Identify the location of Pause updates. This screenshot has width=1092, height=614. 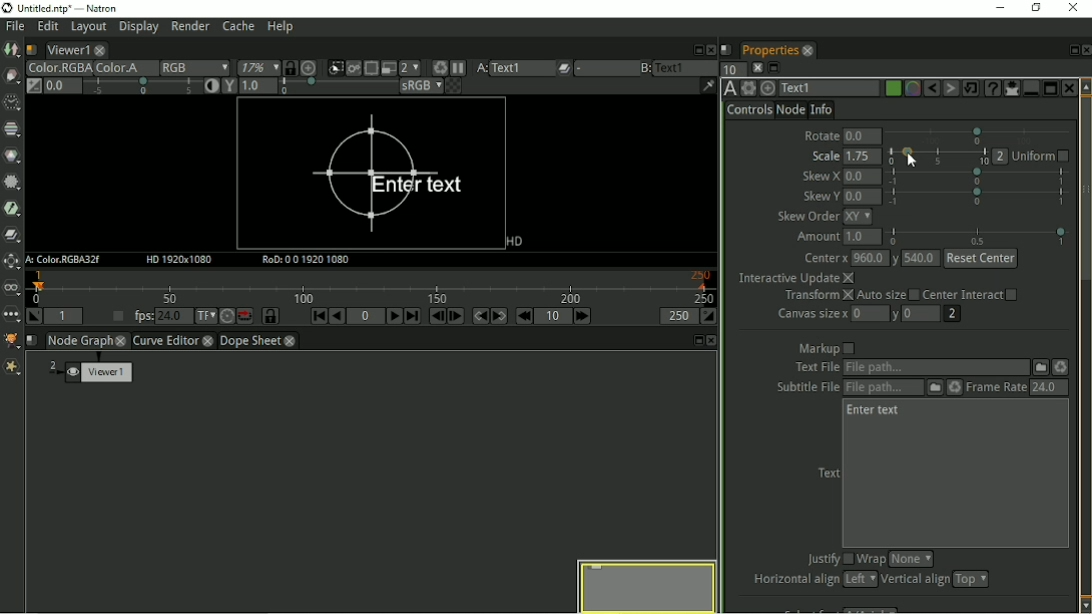
(457, 67).